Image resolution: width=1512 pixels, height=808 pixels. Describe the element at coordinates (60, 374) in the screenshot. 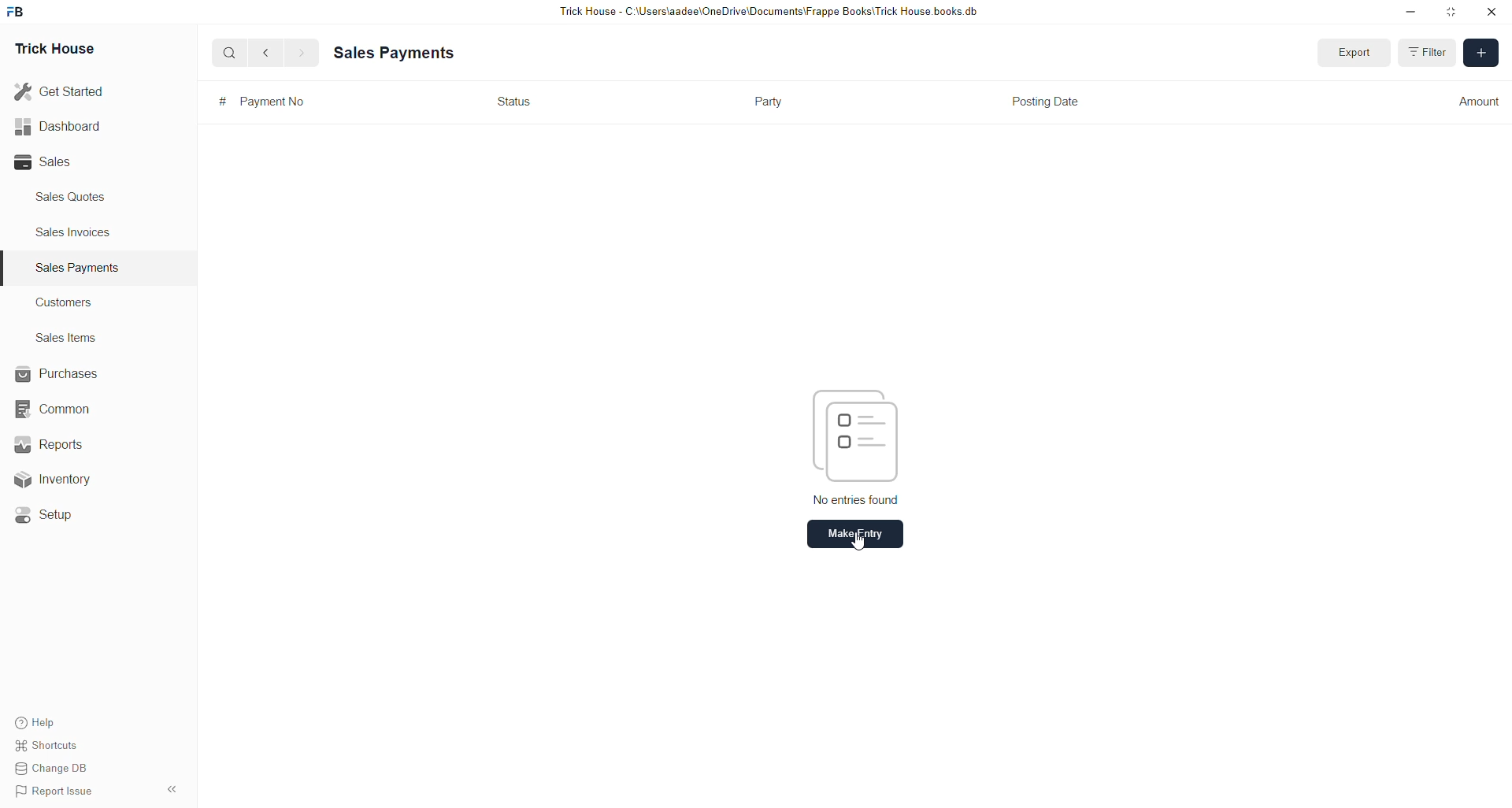

I see `Purchases` at that location.